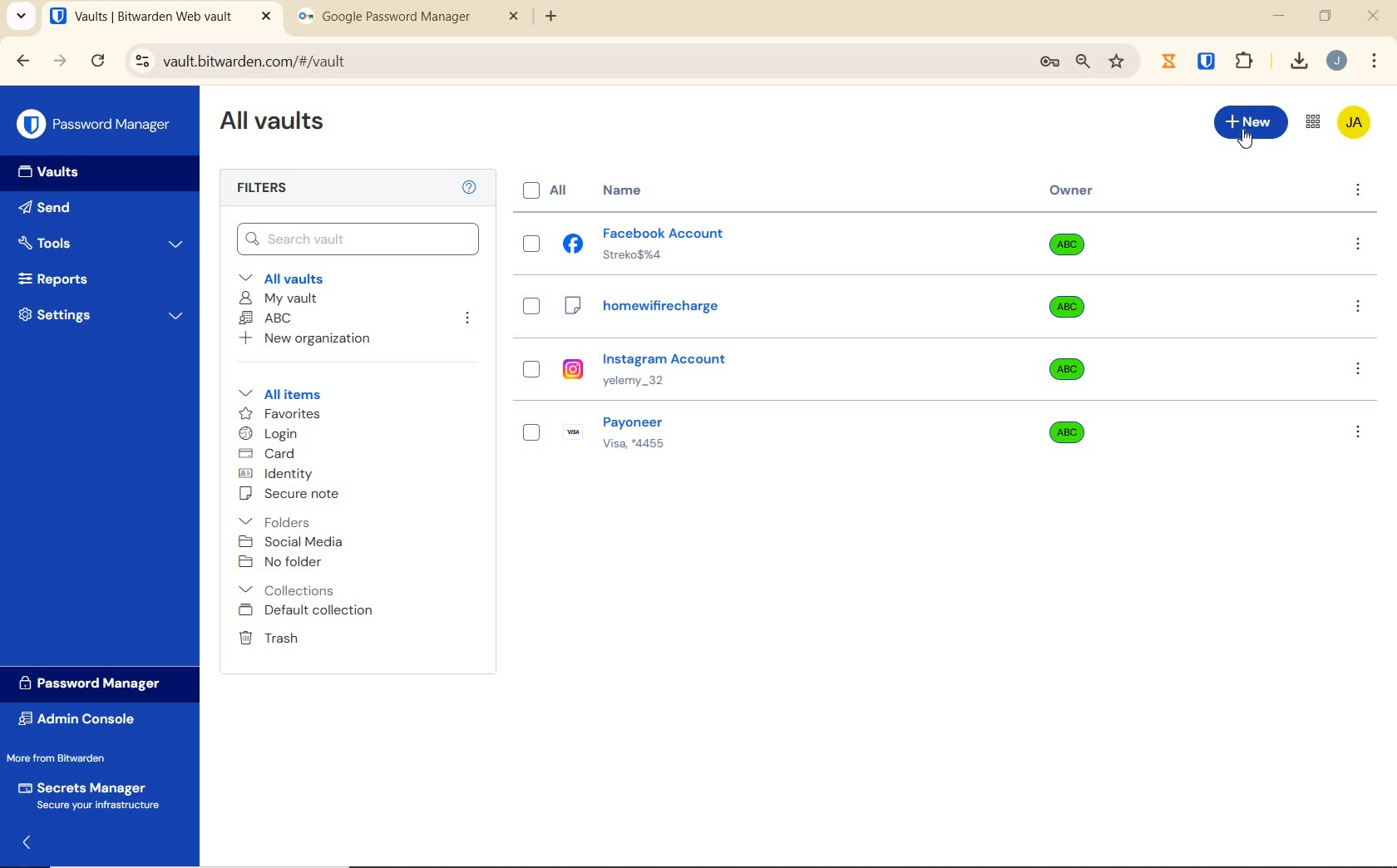  I want to click on collection, so click(288, 590).